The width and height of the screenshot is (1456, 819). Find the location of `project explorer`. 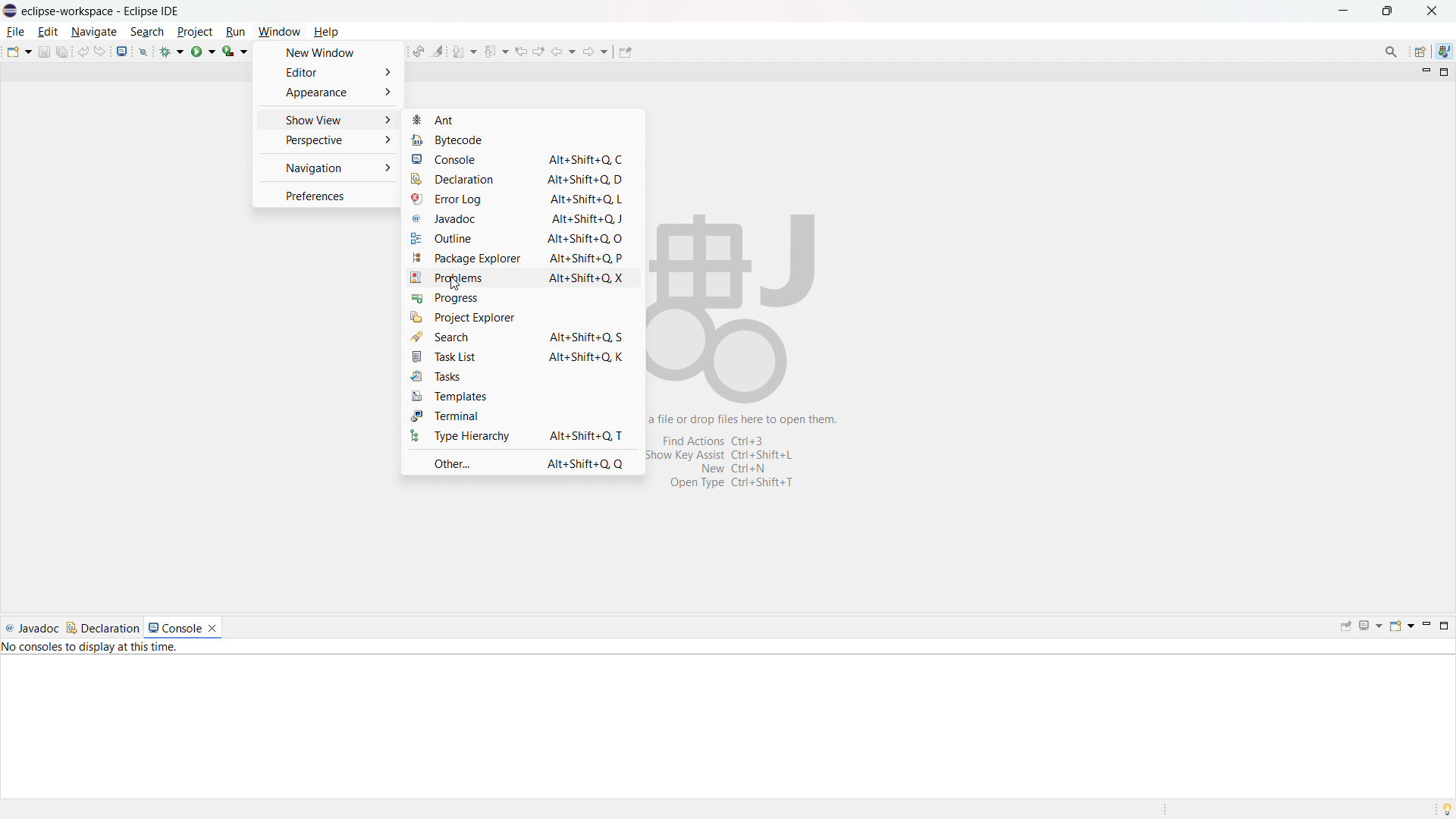

project explorer is located at coordinates (522, 317).